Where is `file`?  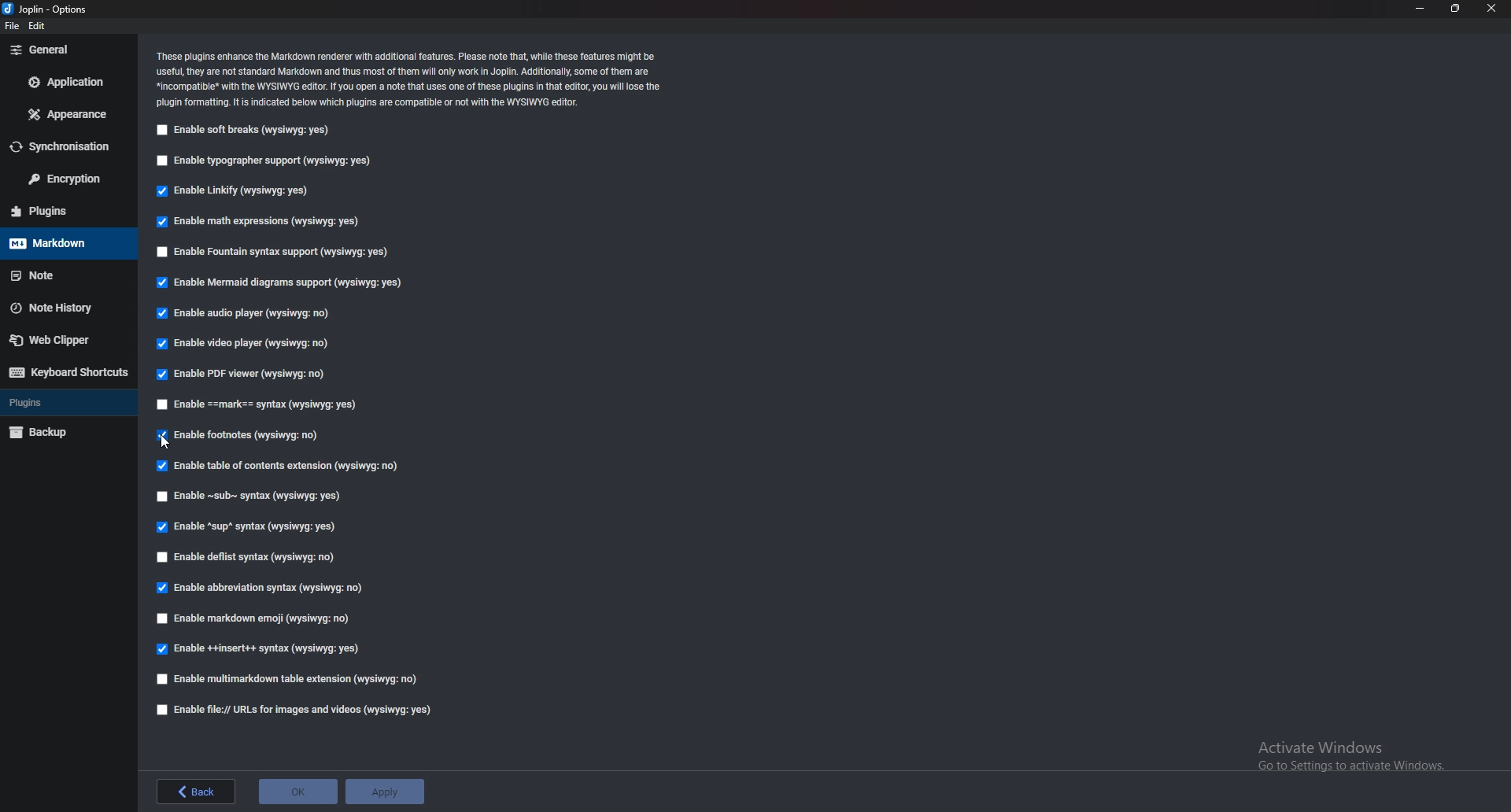 file is located at coordinates (13, 27).